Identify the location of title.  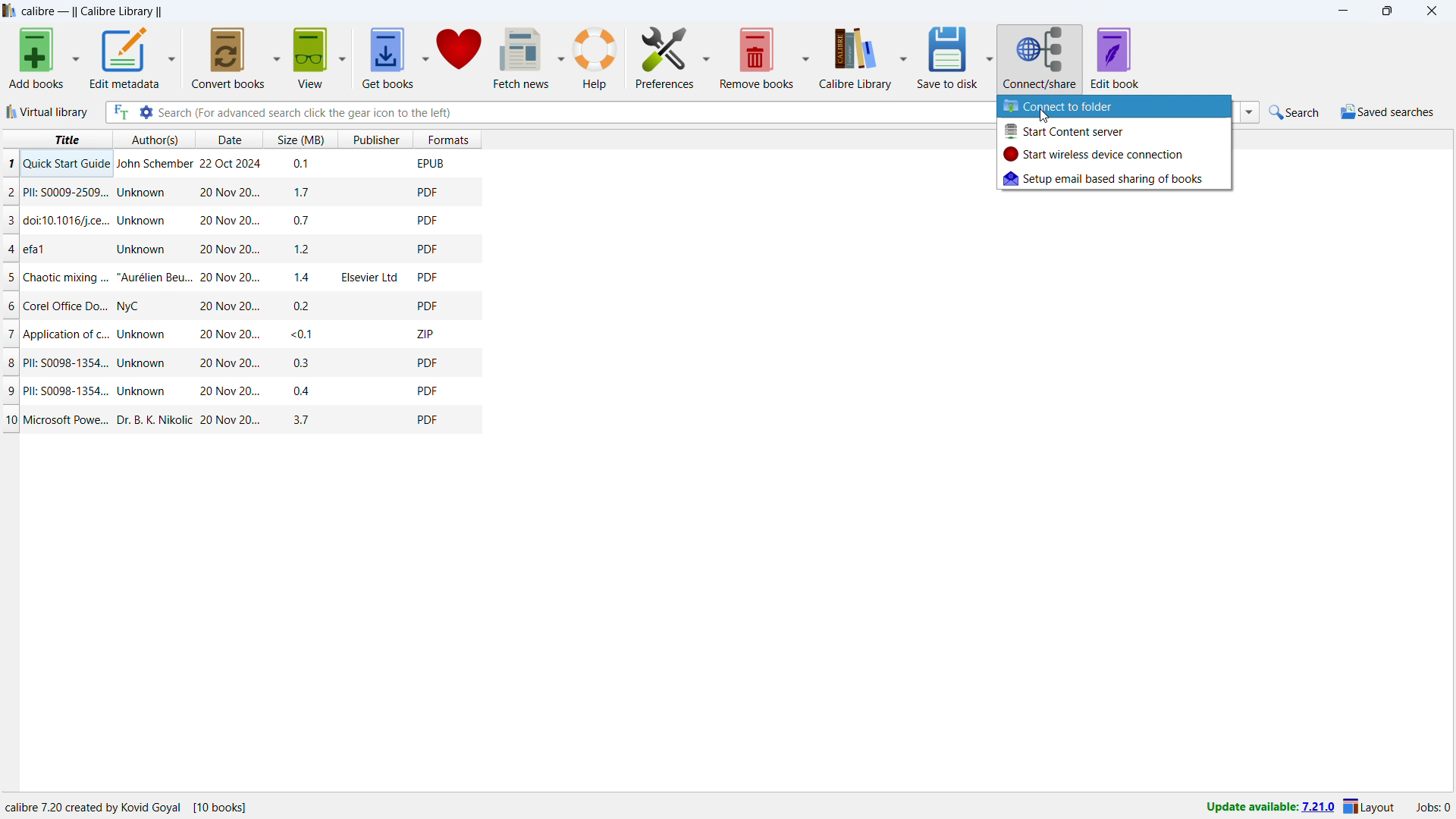
(92, 11).